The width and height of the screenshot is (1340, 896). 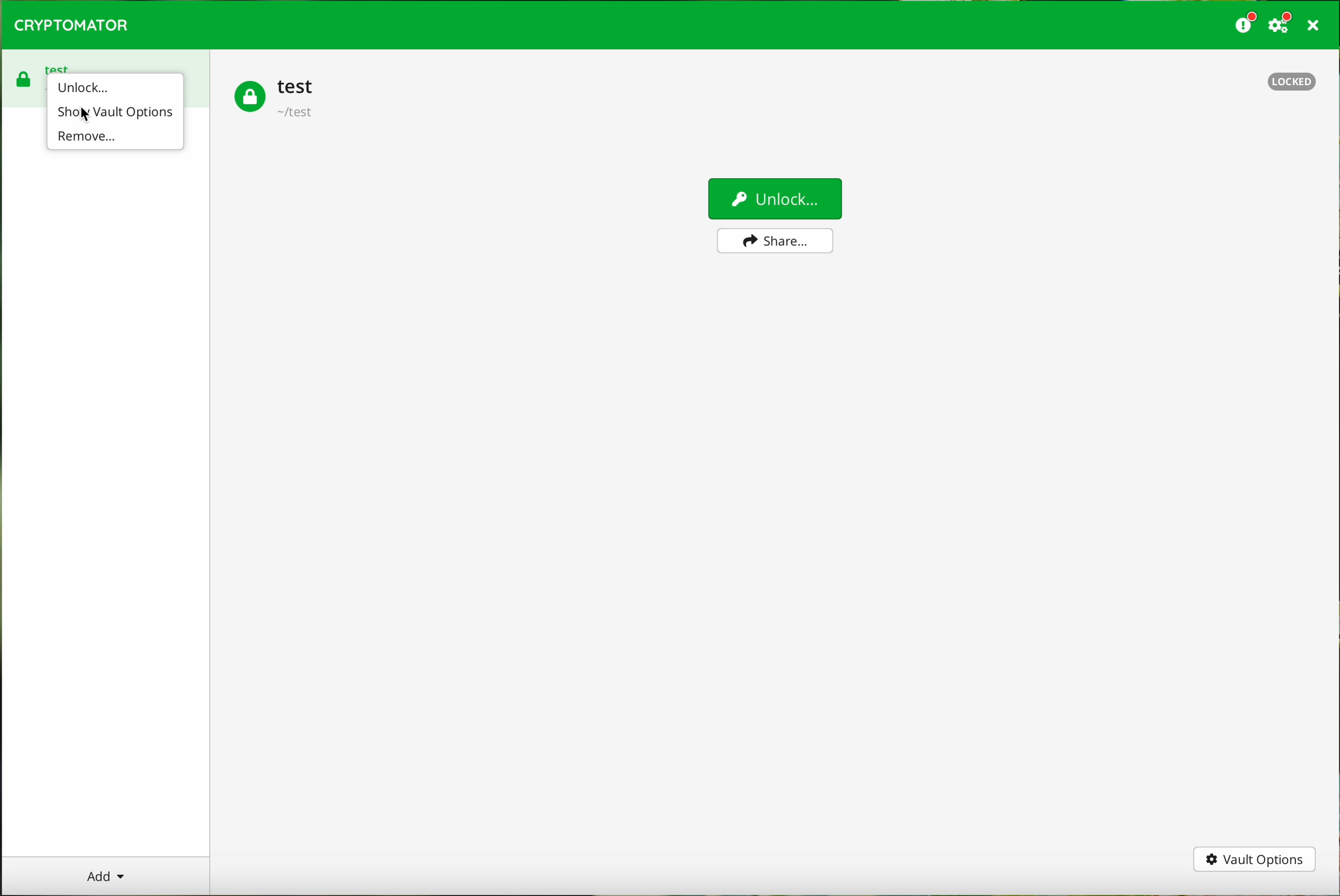 I want to click on cursor, so click(x=88, y=116).